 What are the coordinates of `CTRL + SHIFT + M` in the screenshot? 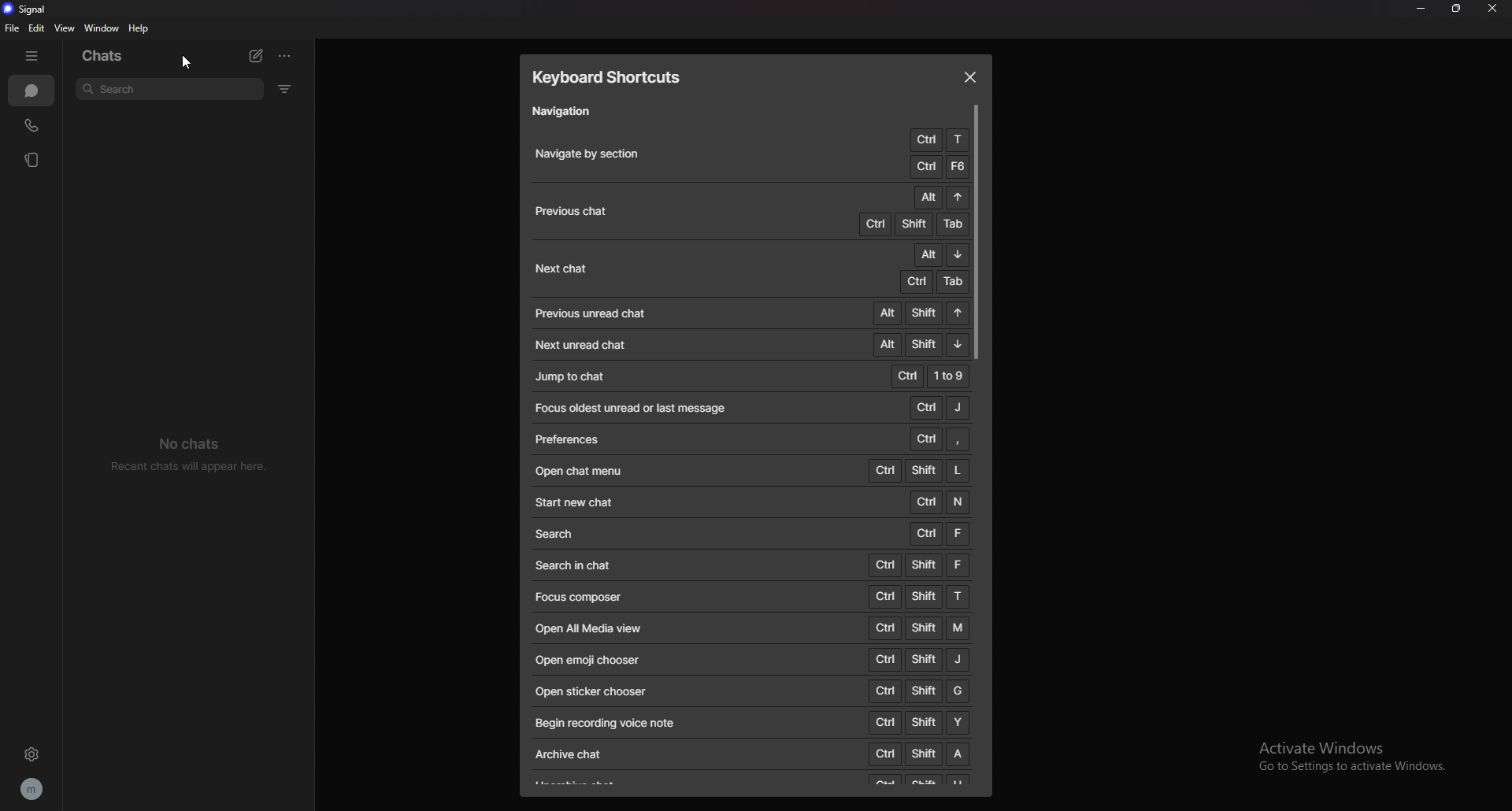 It's located at (917, 627).